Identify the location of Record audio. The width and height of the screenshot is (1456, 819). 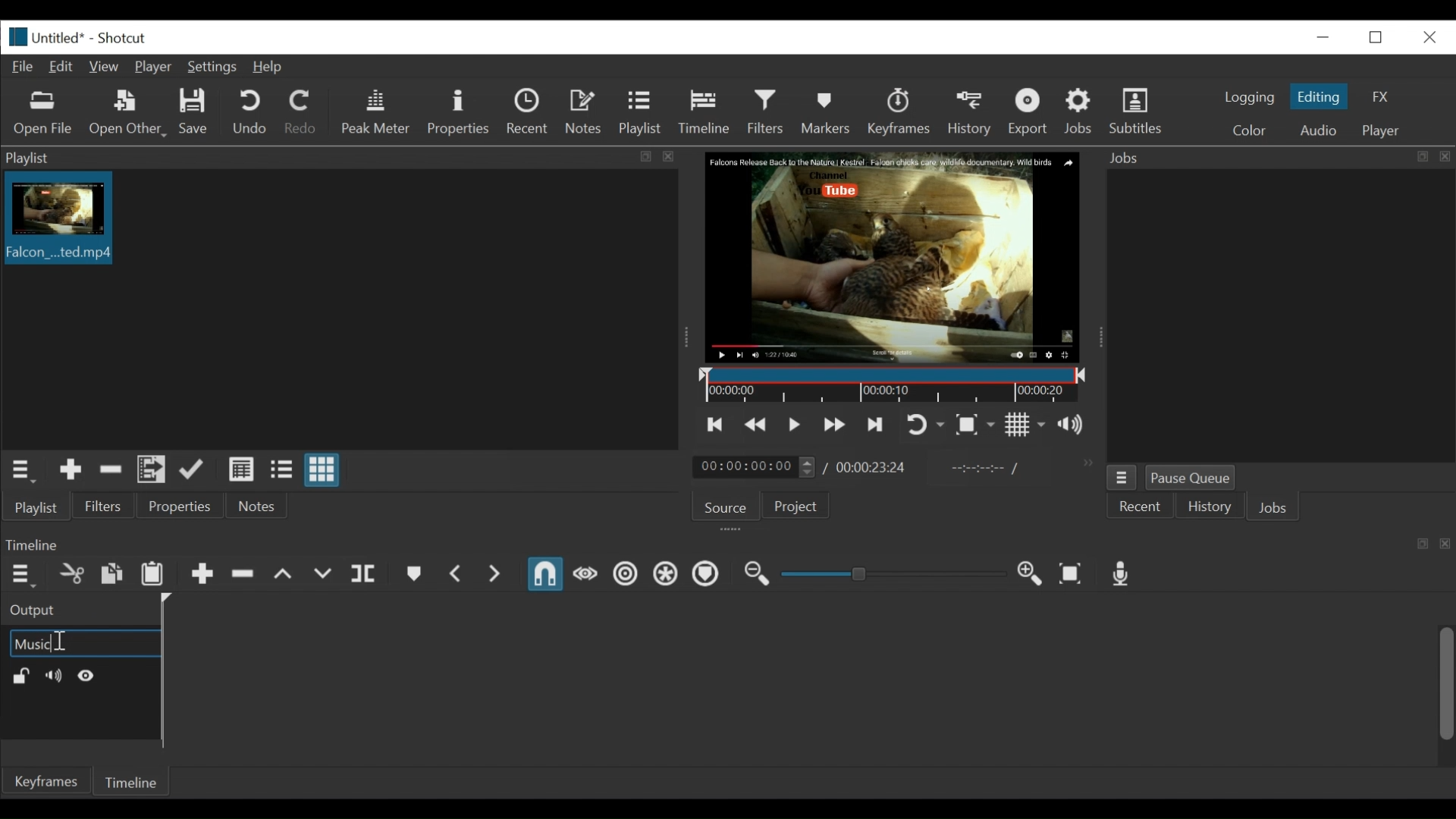
(1122, 574).